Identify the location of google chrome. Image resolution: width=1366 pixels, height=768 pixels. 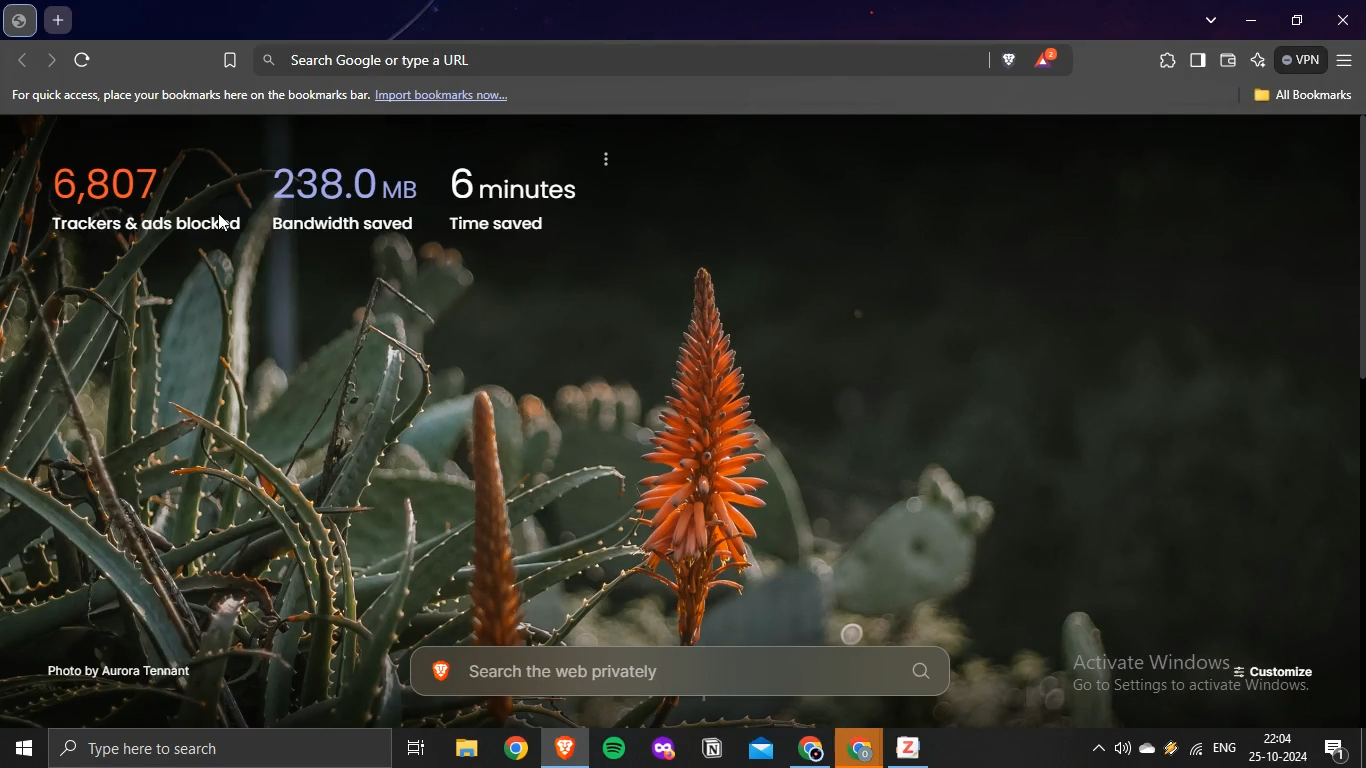
(810, 749).